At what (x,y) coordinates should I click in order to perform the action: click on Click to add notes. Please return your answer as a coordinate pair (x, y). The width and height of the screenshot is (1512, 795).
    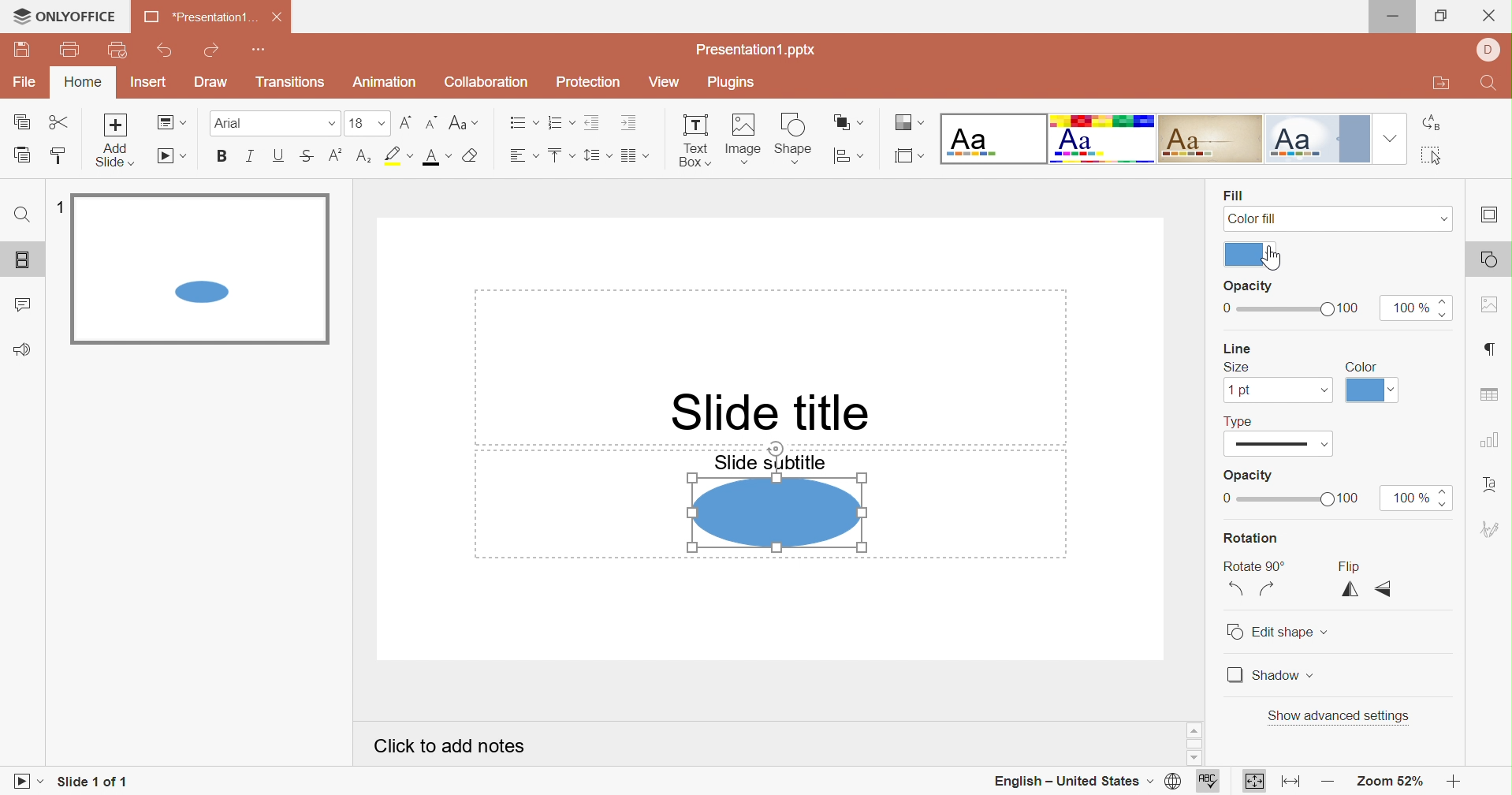
    Looking at the image, I should click on (449, 745).